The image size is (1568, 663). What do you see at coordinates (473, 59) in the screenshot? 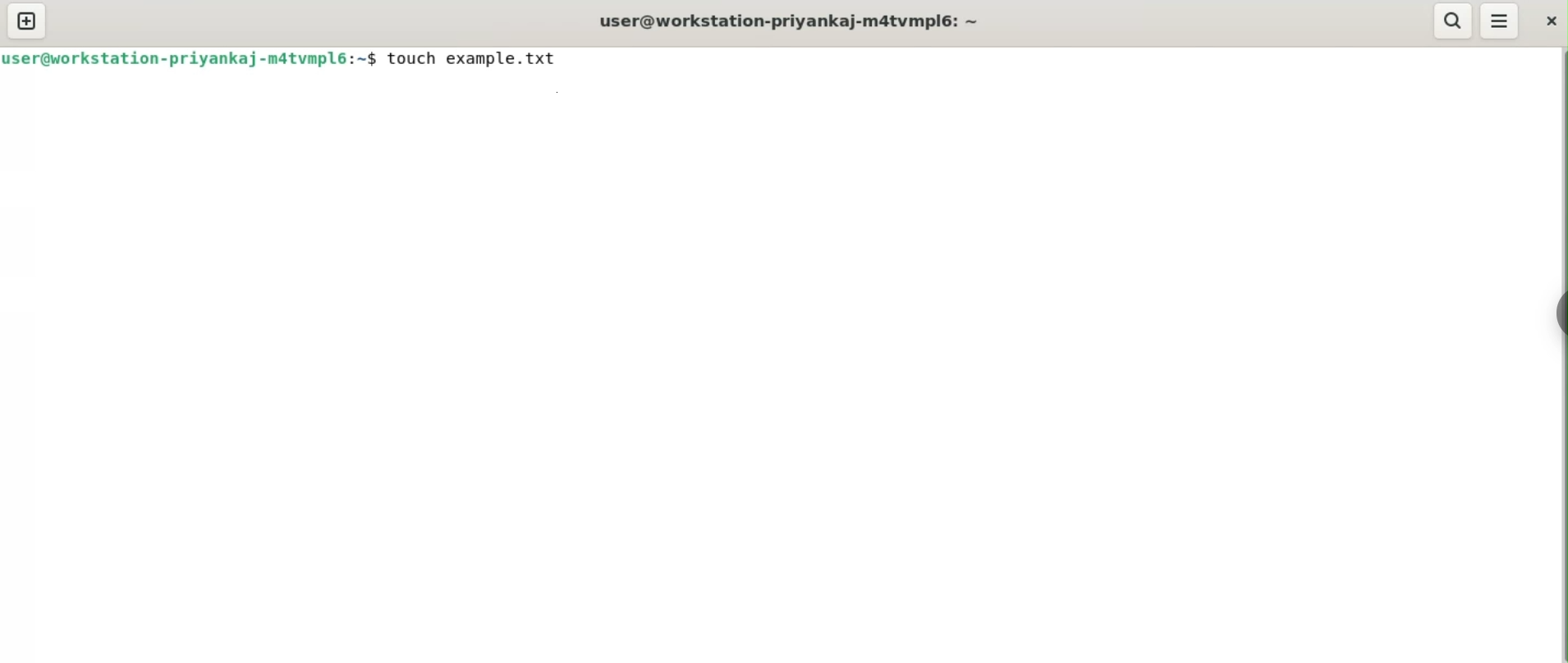
I see `touch example. txt` at bounding box center [473, 59].